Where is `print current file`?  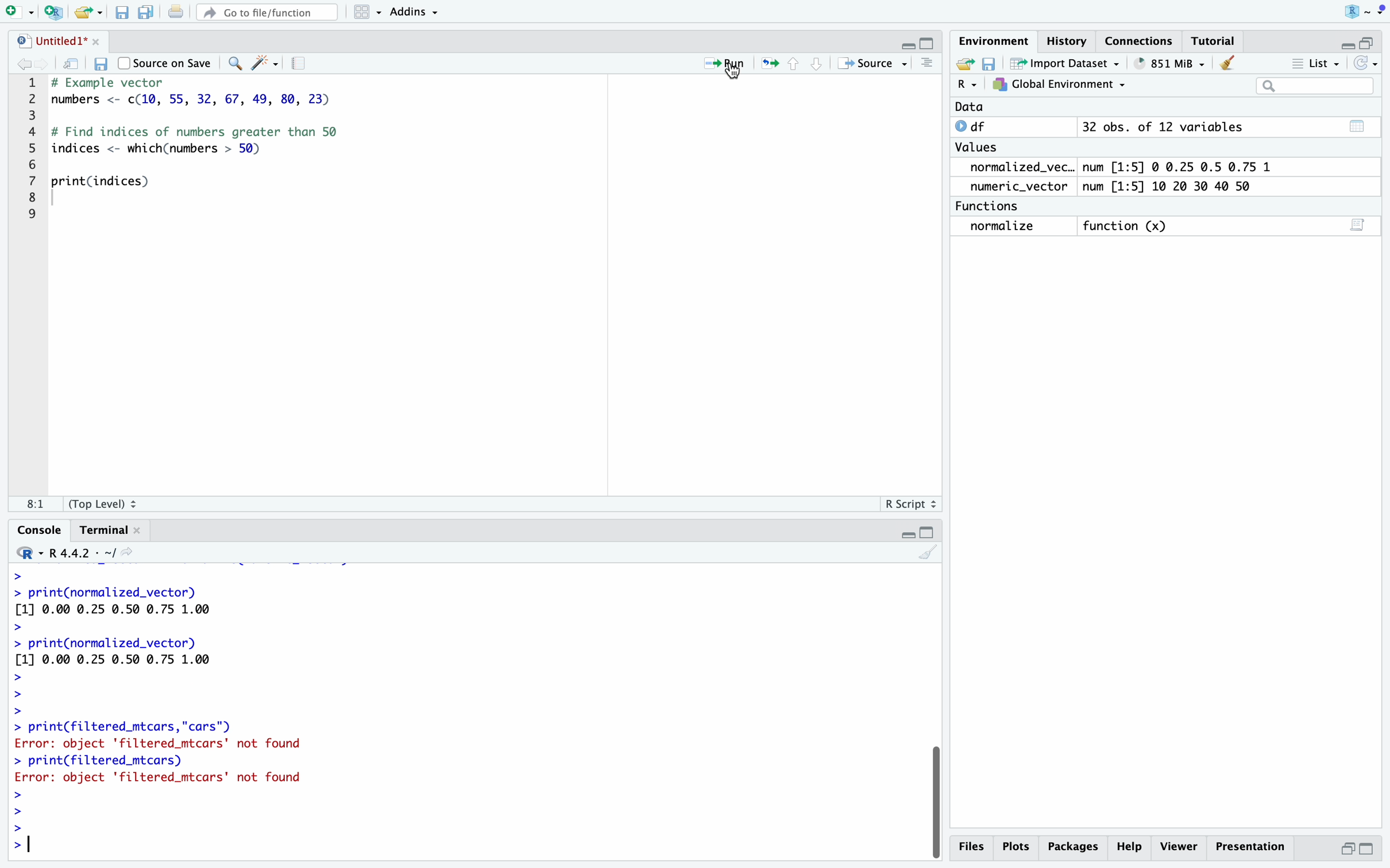
print current file is located at coordinates (176, 13).